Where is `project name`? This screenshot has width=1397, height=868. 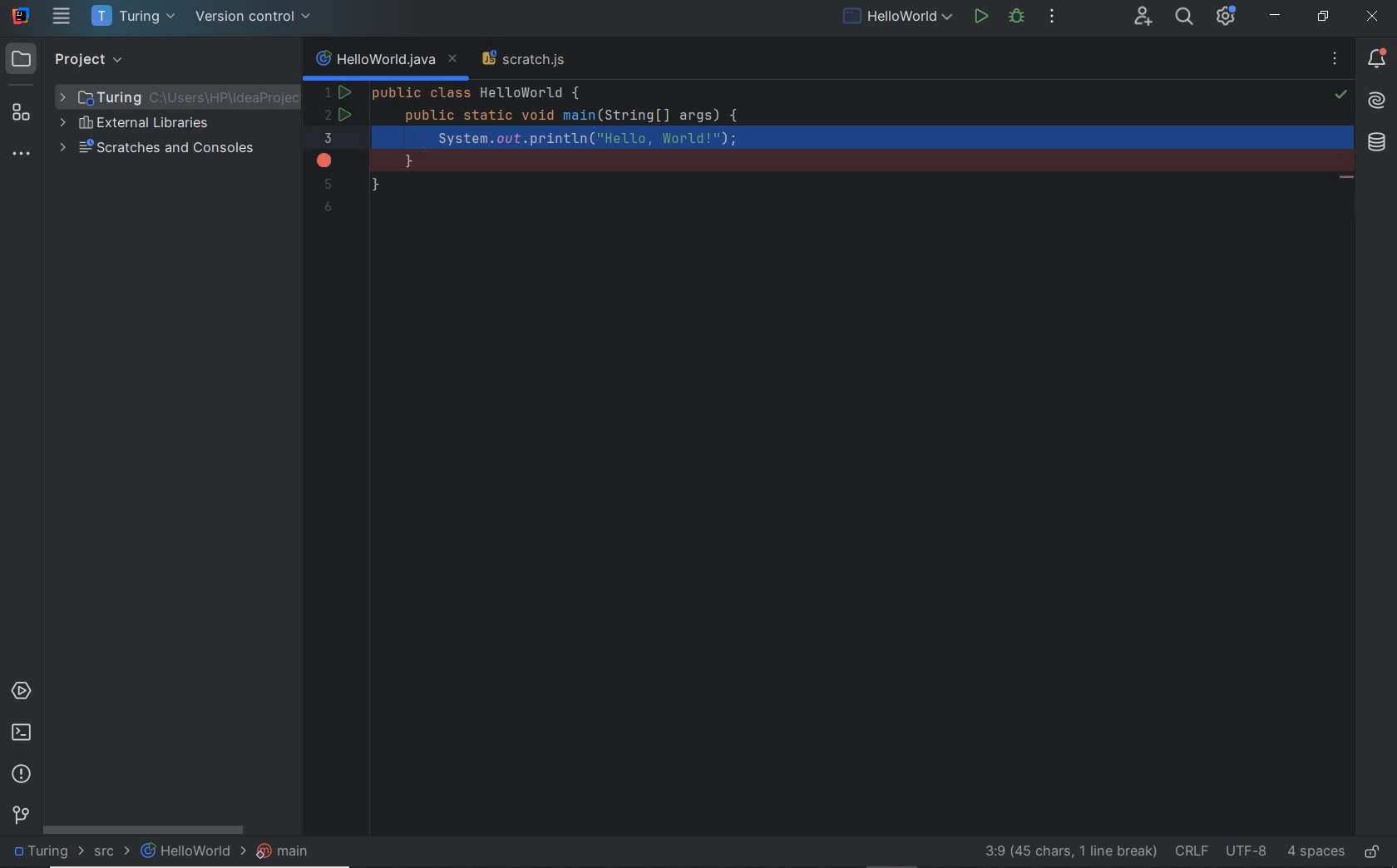
project name is located at coordinates (46, 851).